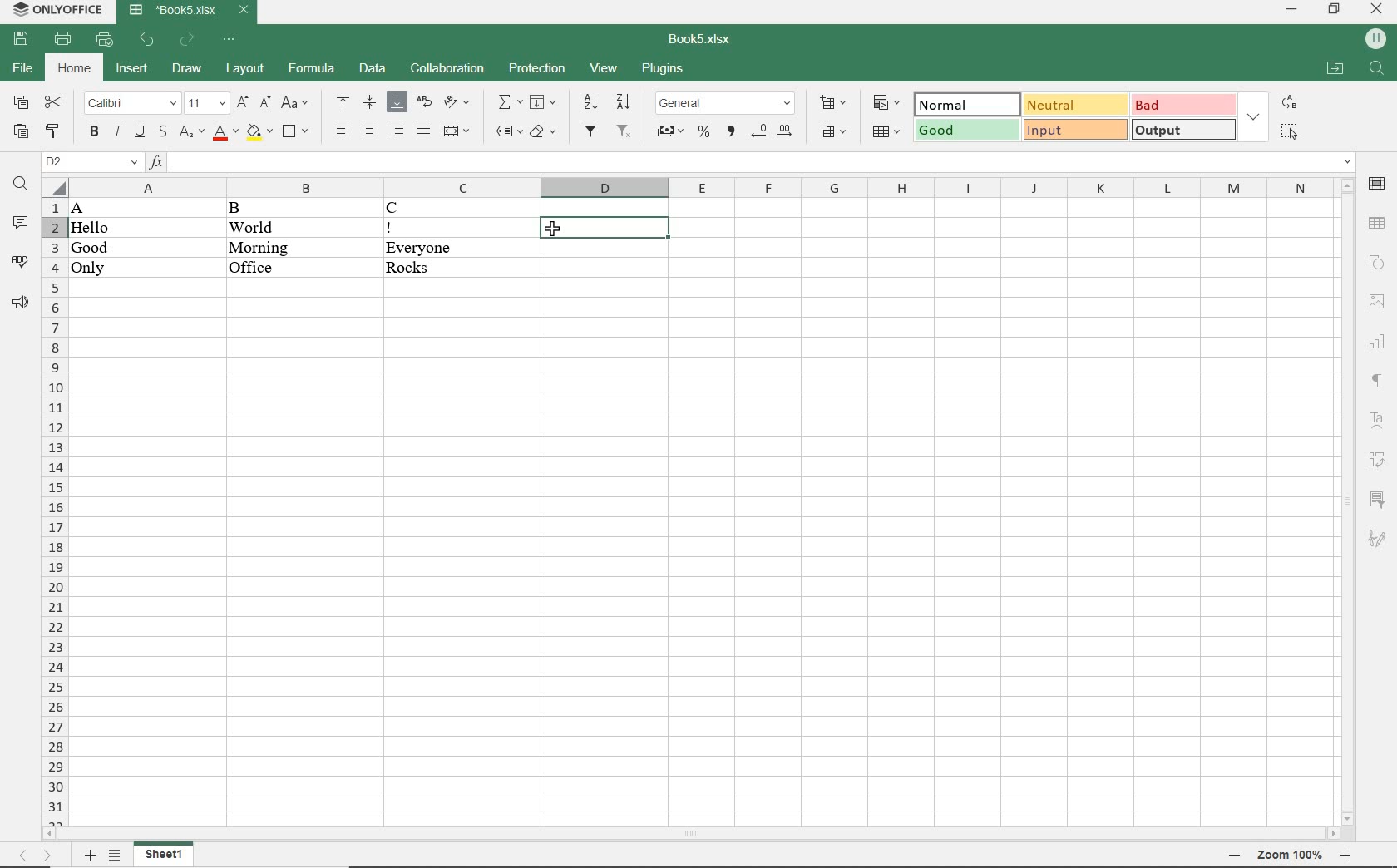 The width and height of the screenshot is (1397, 868). Describe the element at coordinates (448, 209) in the screenshot. I see `C` at that location.